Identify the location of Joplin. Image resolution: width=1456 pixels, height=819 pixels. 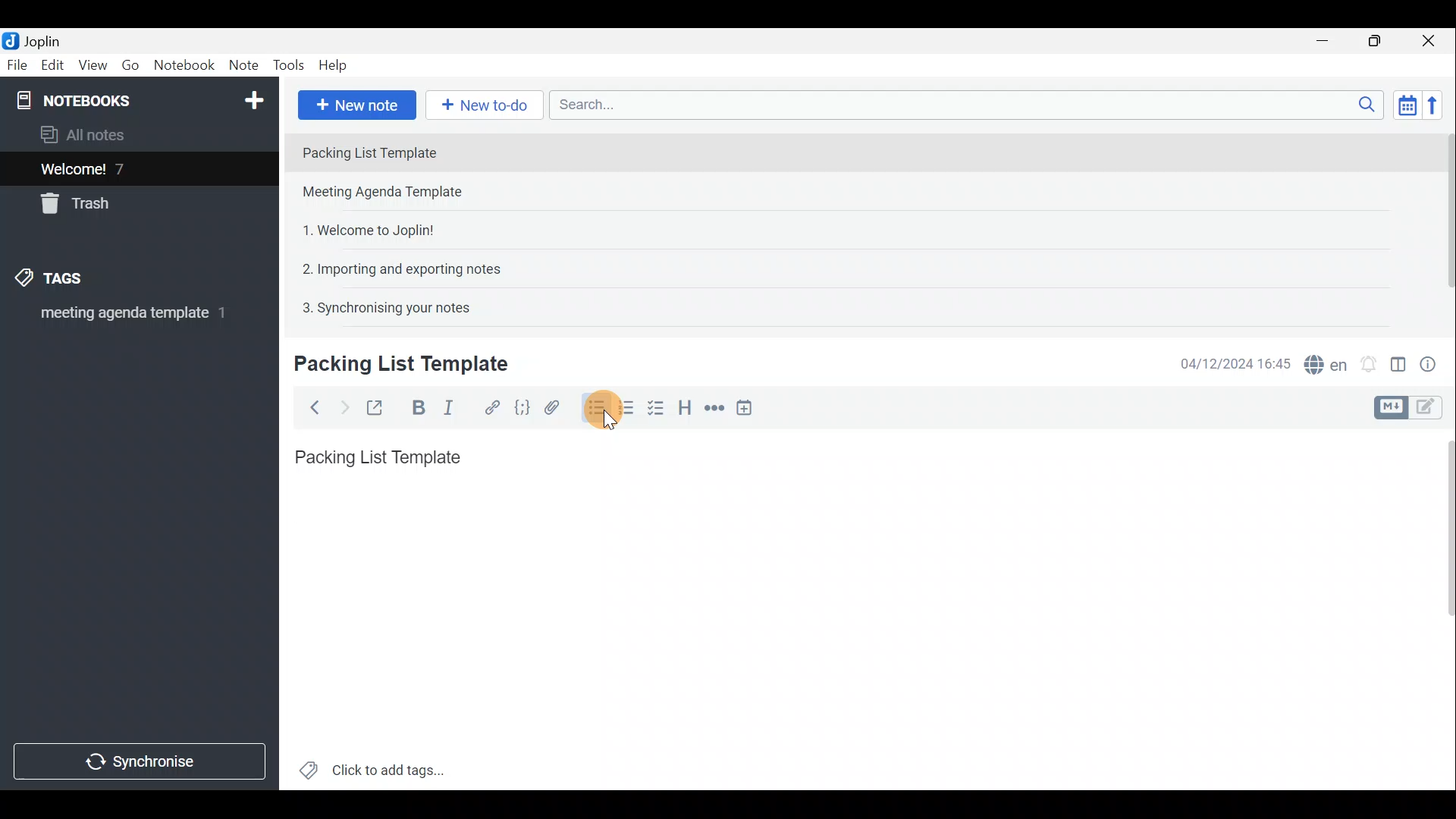
(36, 40).